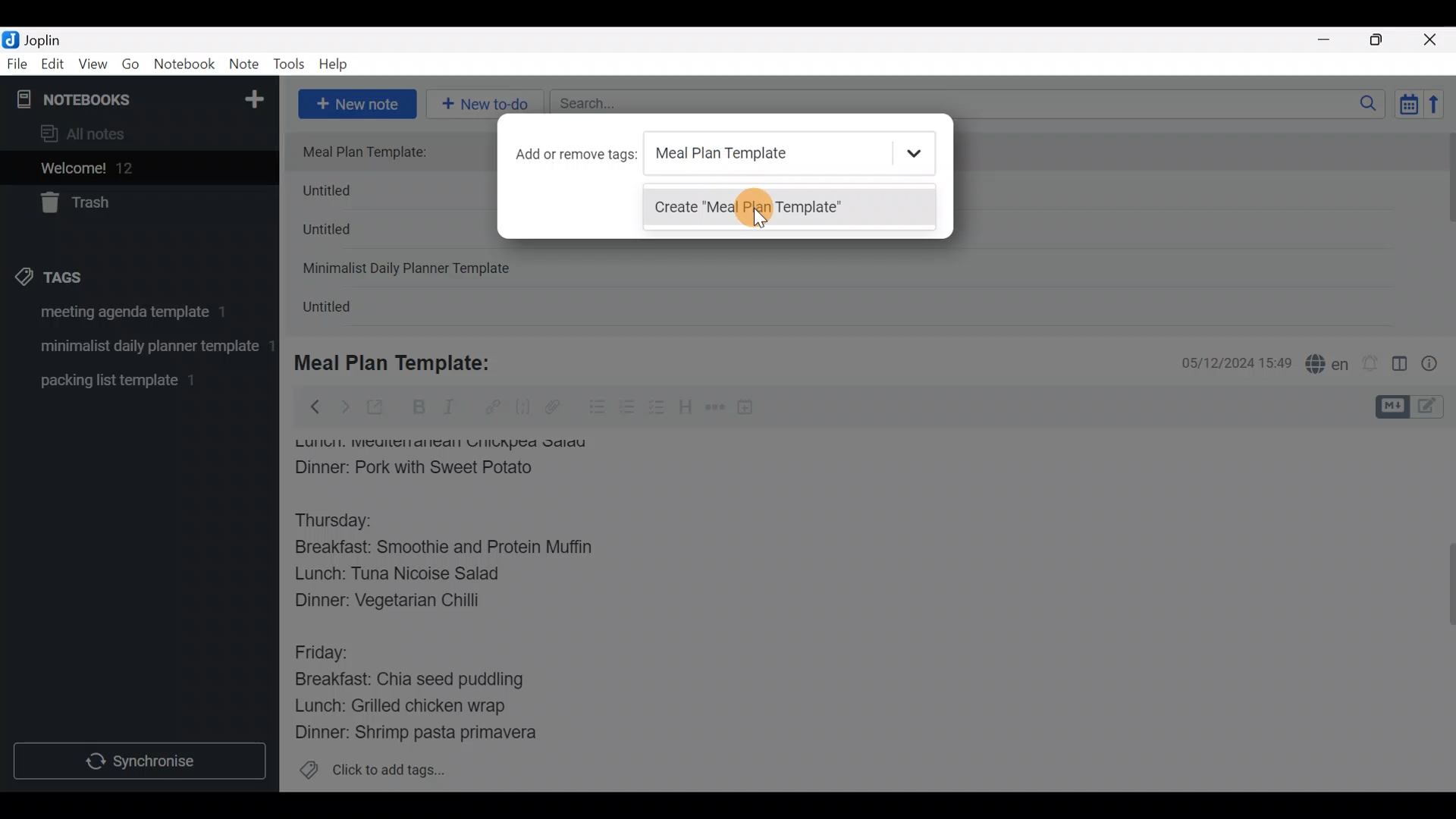  Describe the element at coordinates (374, 152) in the screenshot. I see `Meal Plan Template:` at that location.